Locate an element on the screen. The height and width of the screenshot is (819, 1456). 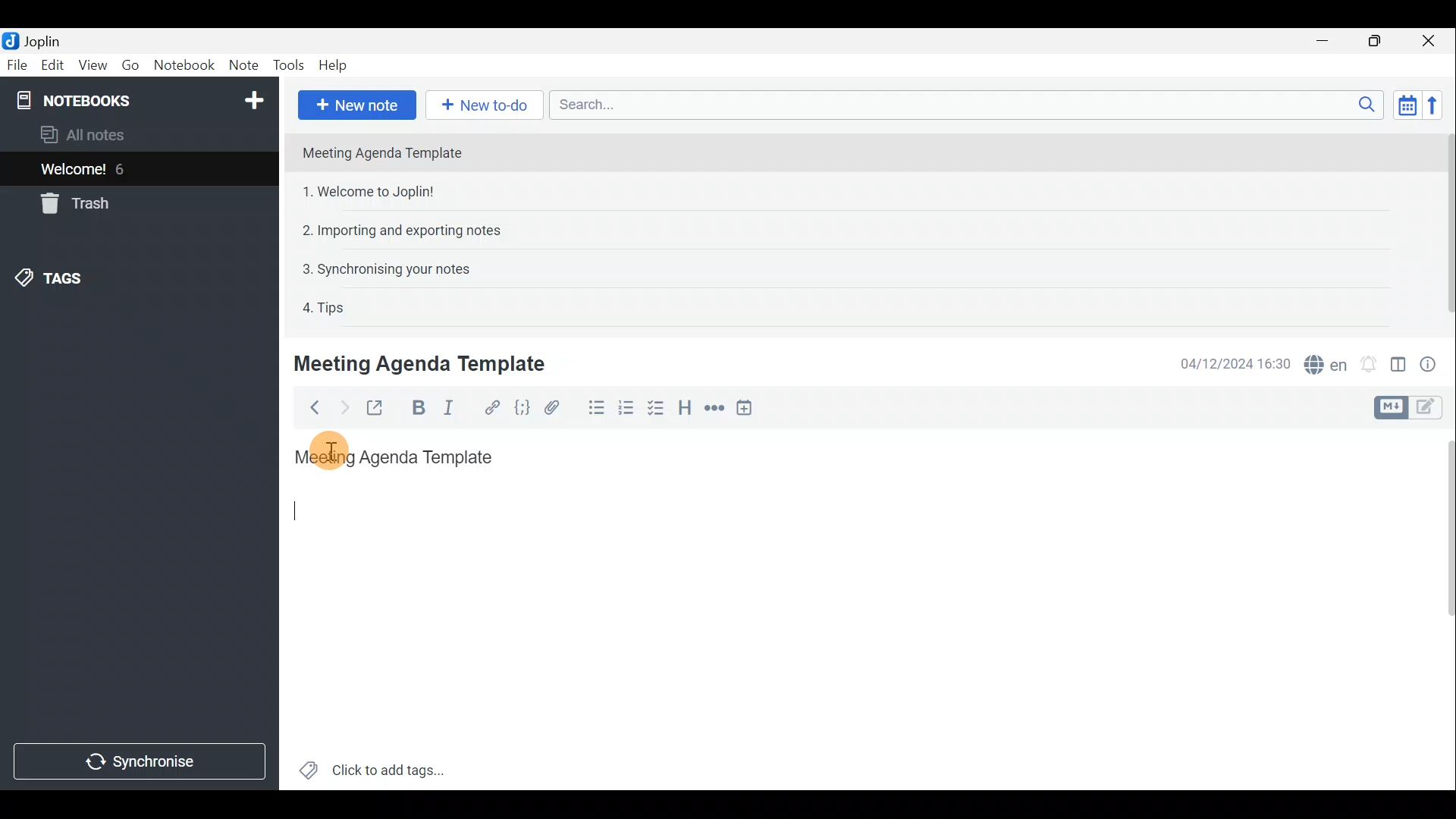
Synchronise is located at coordinates (138, 763).